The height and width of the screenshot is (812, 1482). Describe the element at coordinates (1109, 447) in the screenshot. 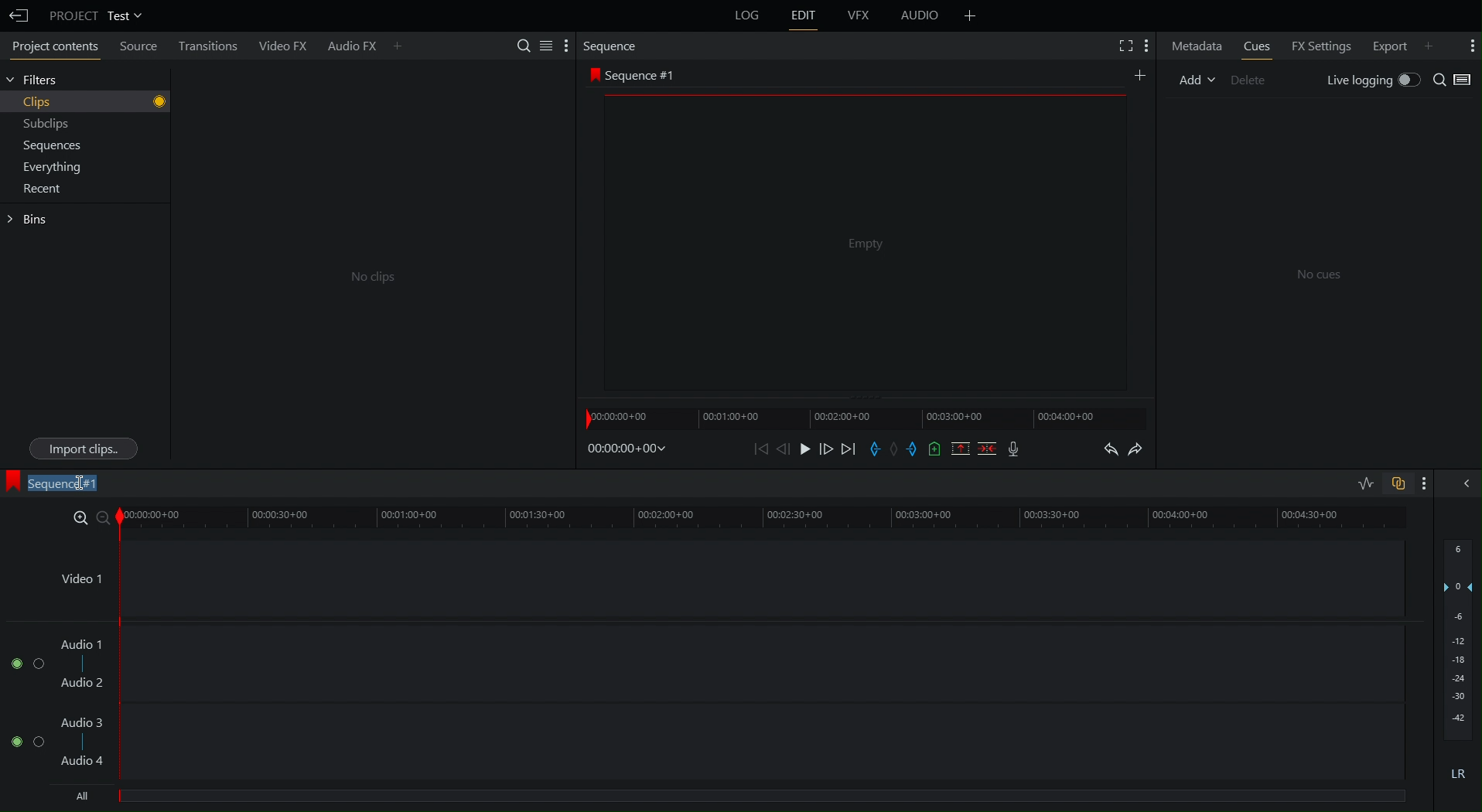

I see `Undo` at that location.